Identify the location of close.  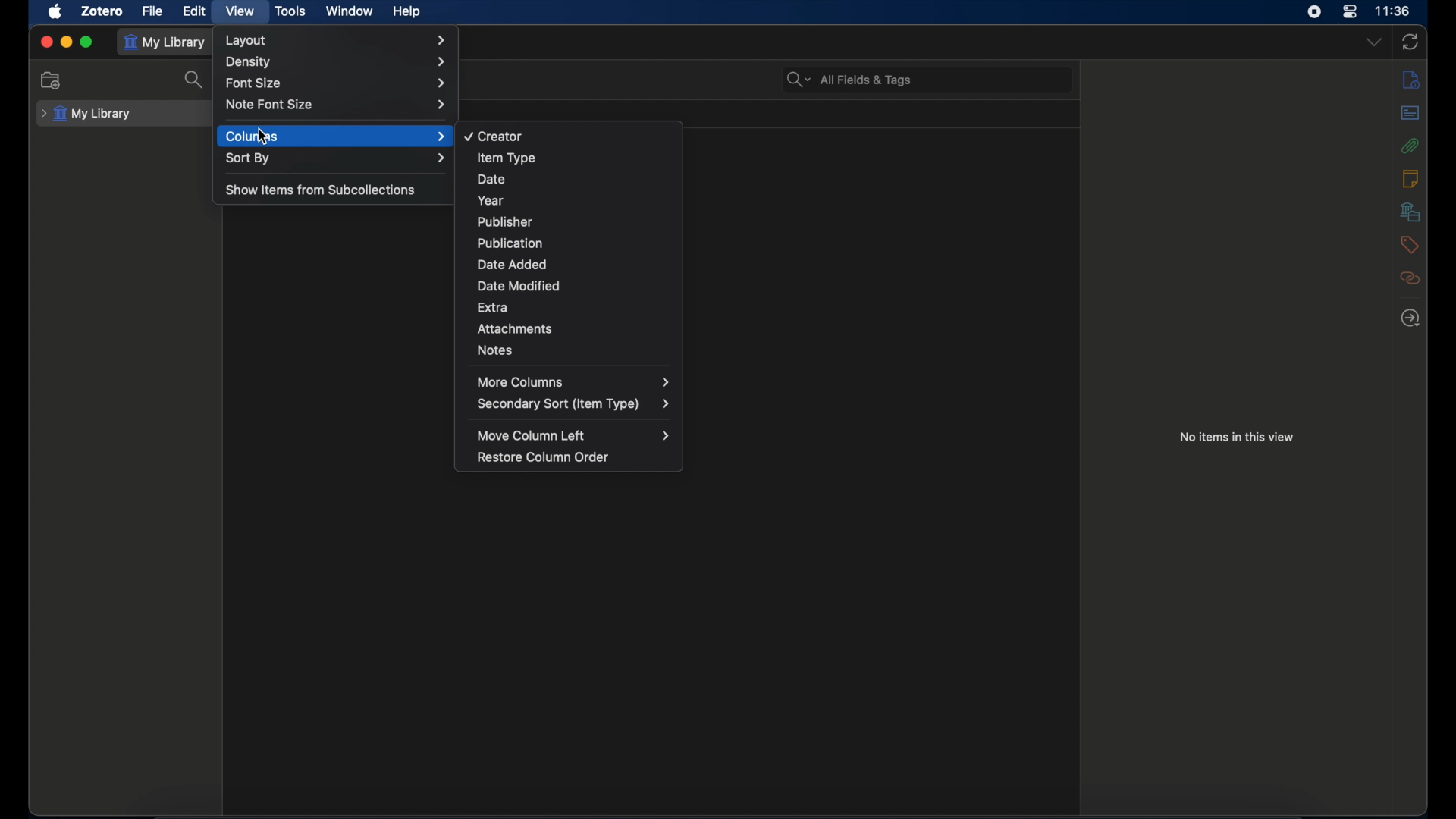
(46, 42).